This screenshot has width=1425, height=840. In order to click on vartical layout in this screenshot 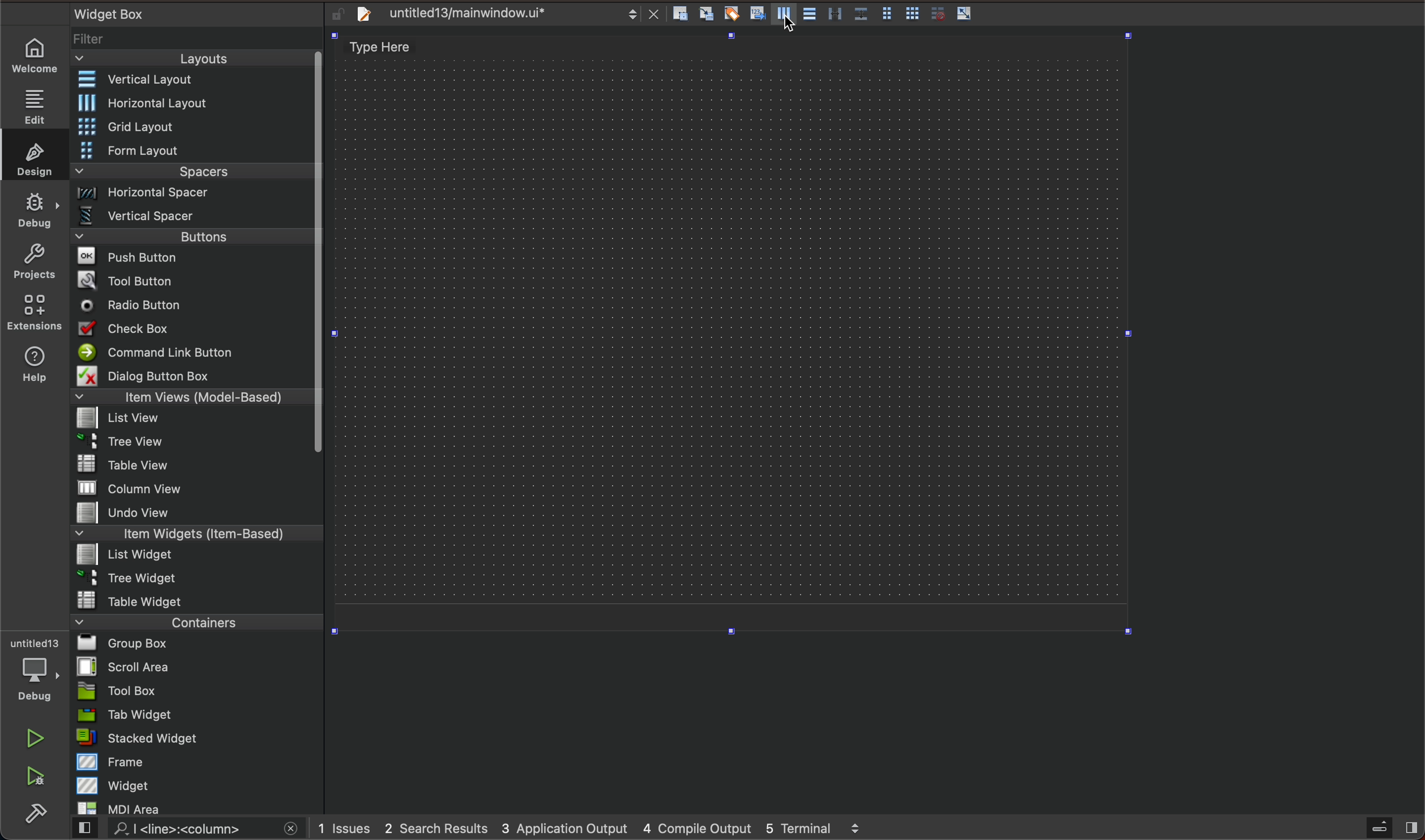, I will do `click(781, 16)`.